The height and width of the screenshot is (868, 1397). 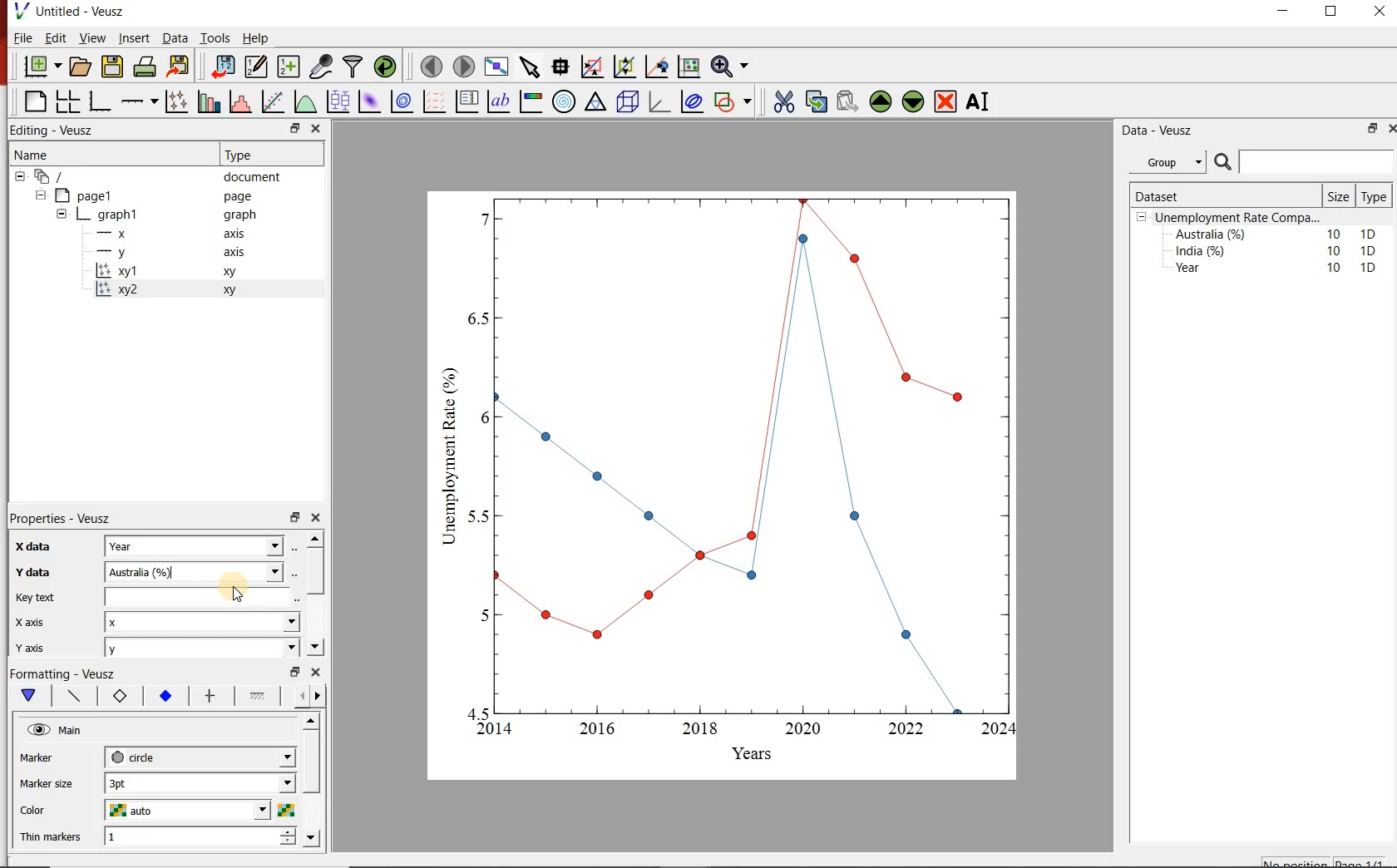 What do you see at coordinates (1173, 131) in the screenshot?
I see `Data - Veusz` at bounding box center [1173, 131].